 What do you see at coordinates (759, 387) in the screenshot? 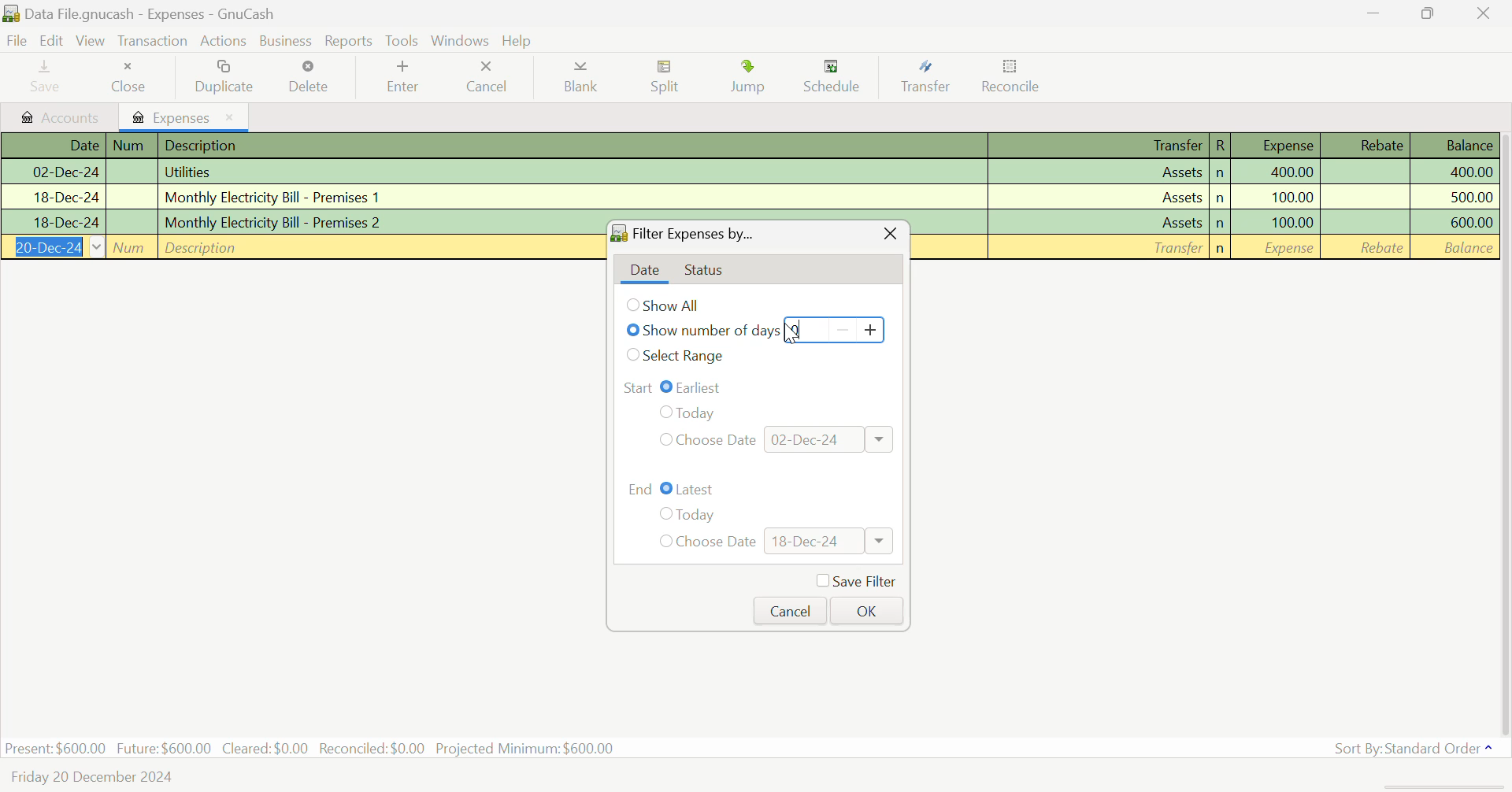
I see `Range Start: Earliest` at bounding box center [759, 387].